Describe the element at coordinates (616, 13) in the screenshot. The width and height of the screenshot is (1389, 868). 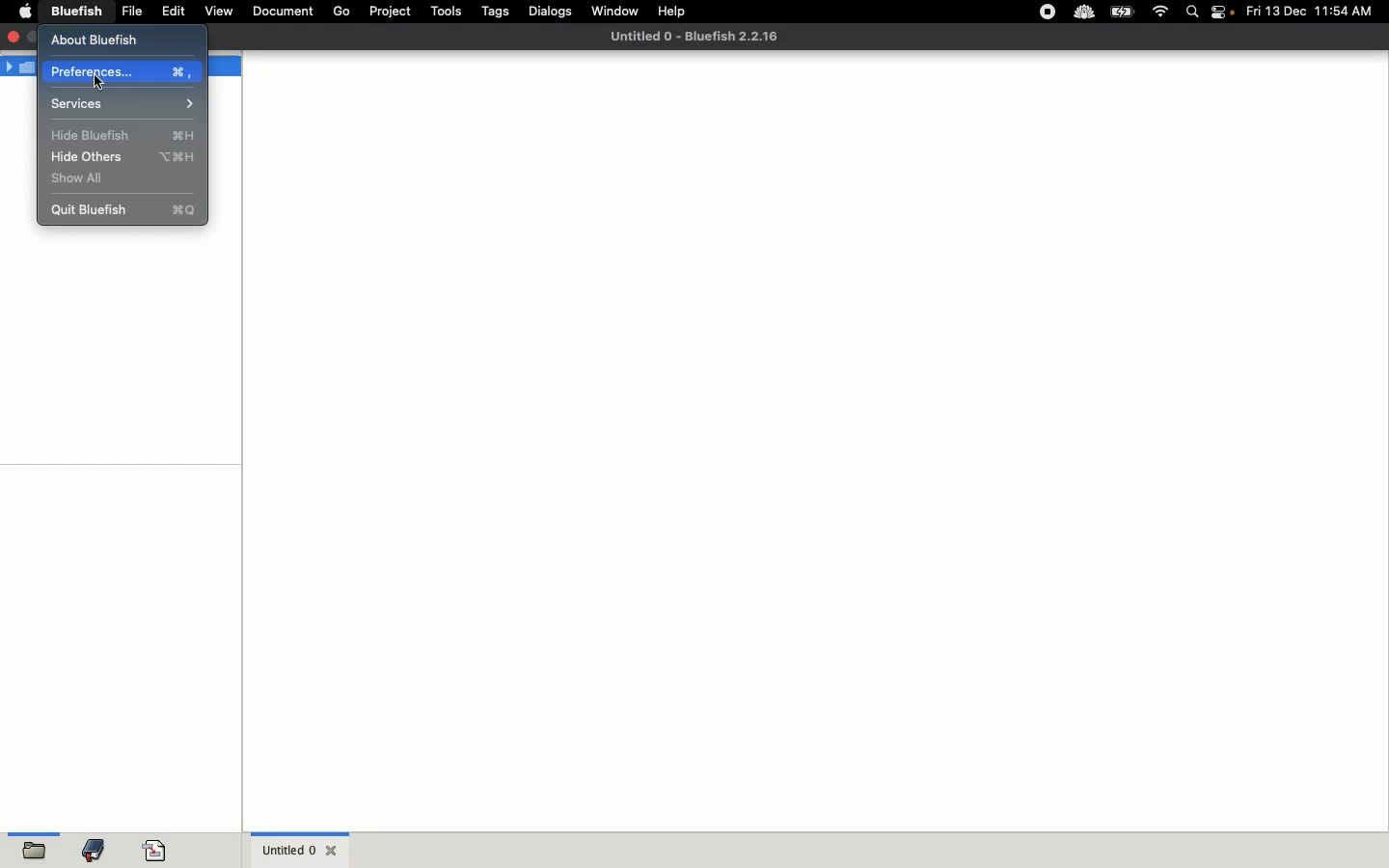
I see `Window` at that location.